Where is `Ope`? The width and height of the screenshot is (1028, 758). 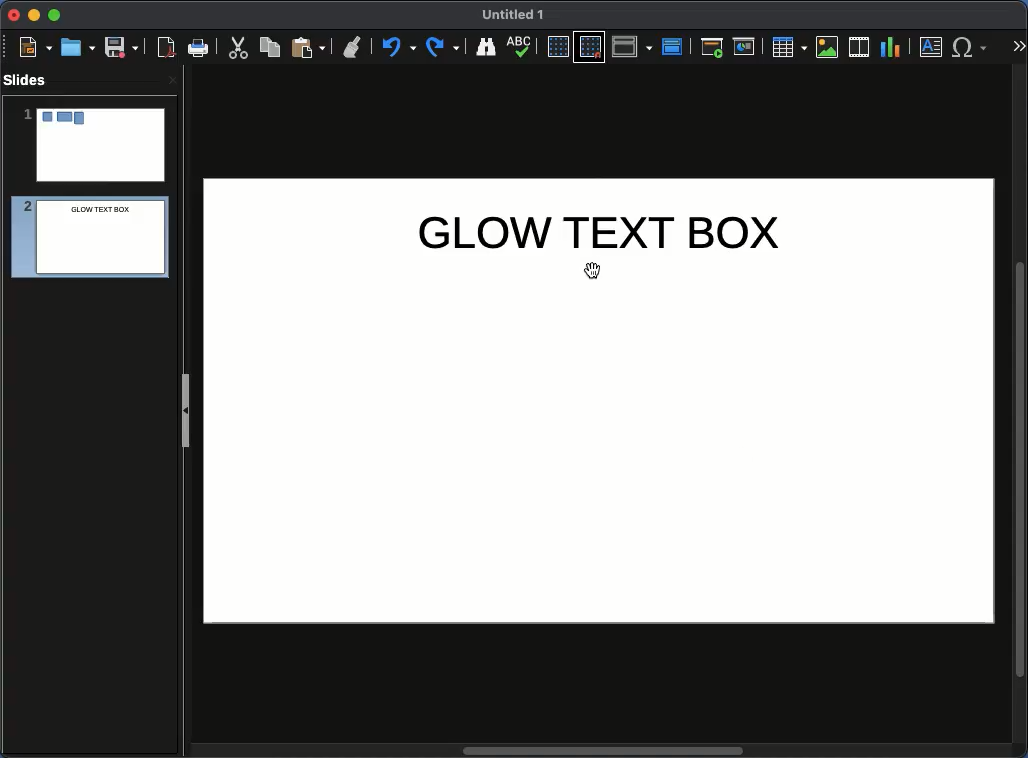 Ope is located at coordinates (78, 46).